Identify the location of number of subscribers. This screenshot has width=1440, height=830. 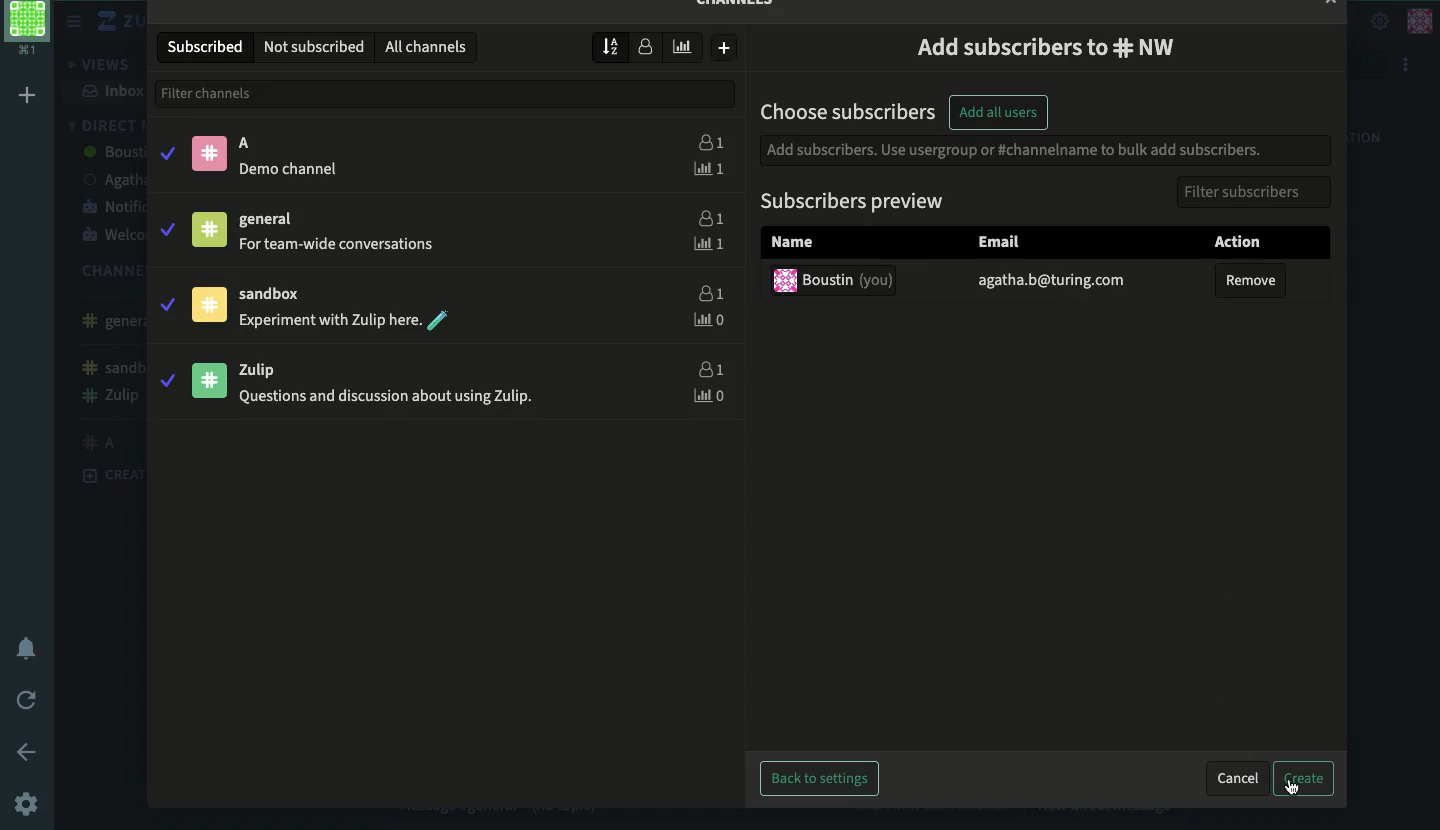
(645, 46).